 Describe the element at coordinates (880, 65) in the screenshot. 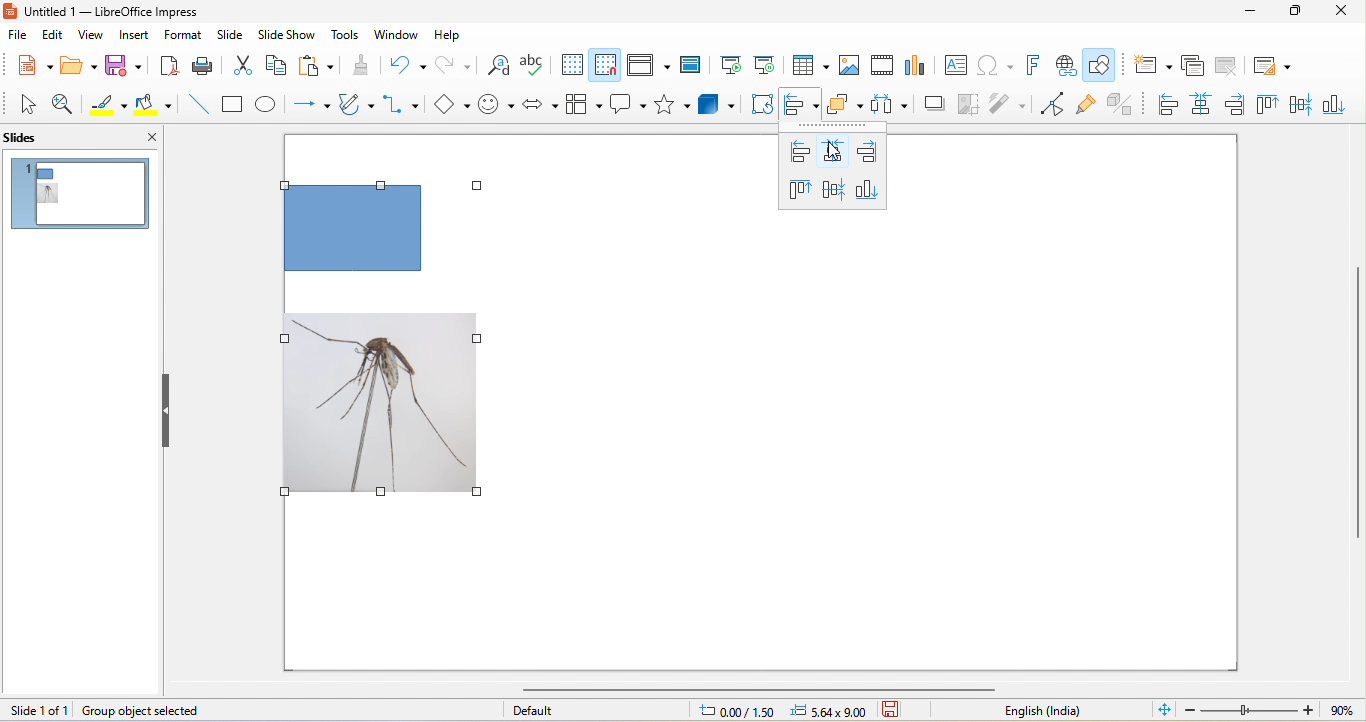

I see `video` at that location.